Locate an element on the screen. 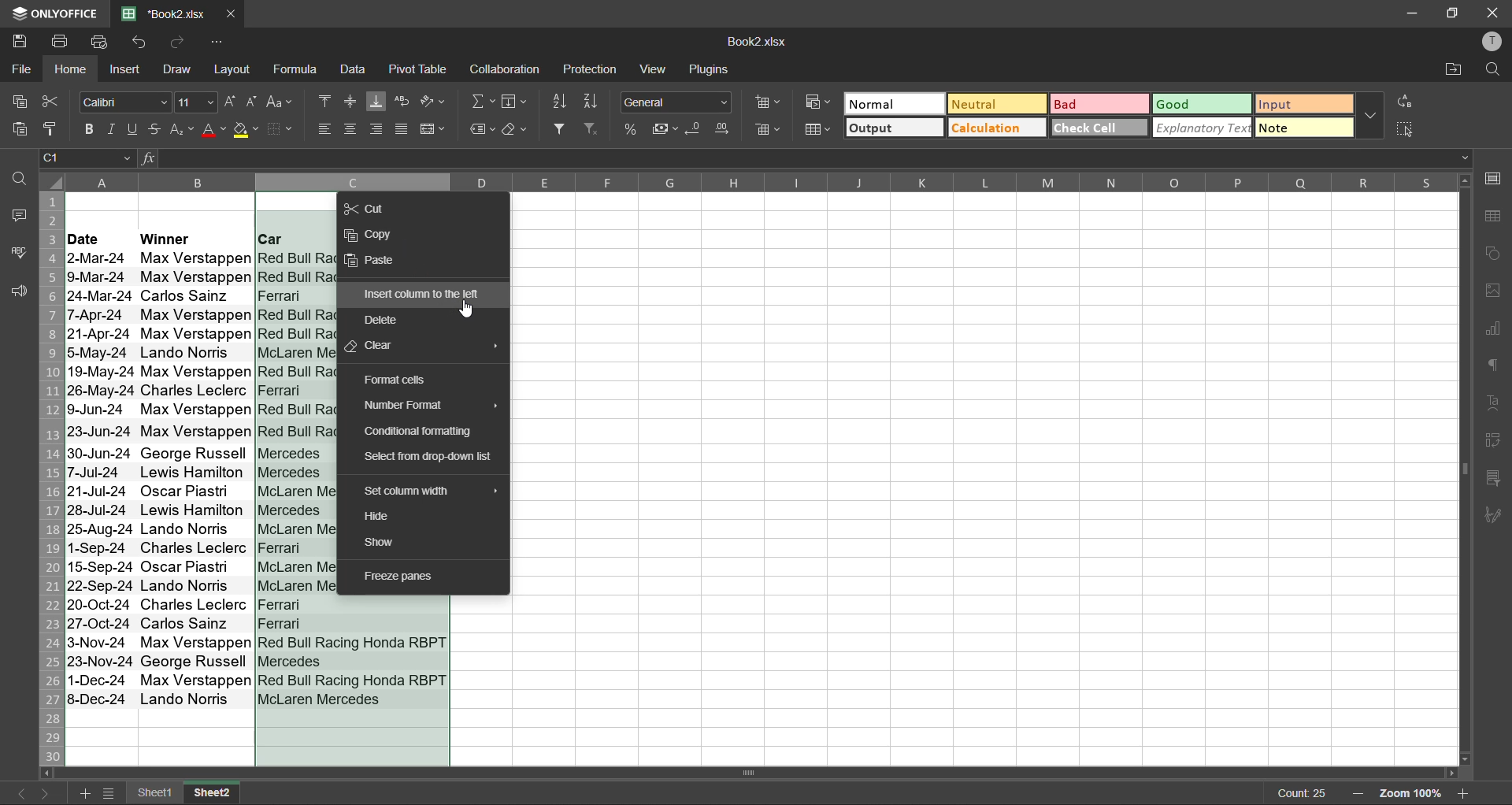  insert cells is located at coordinates (769, 102).